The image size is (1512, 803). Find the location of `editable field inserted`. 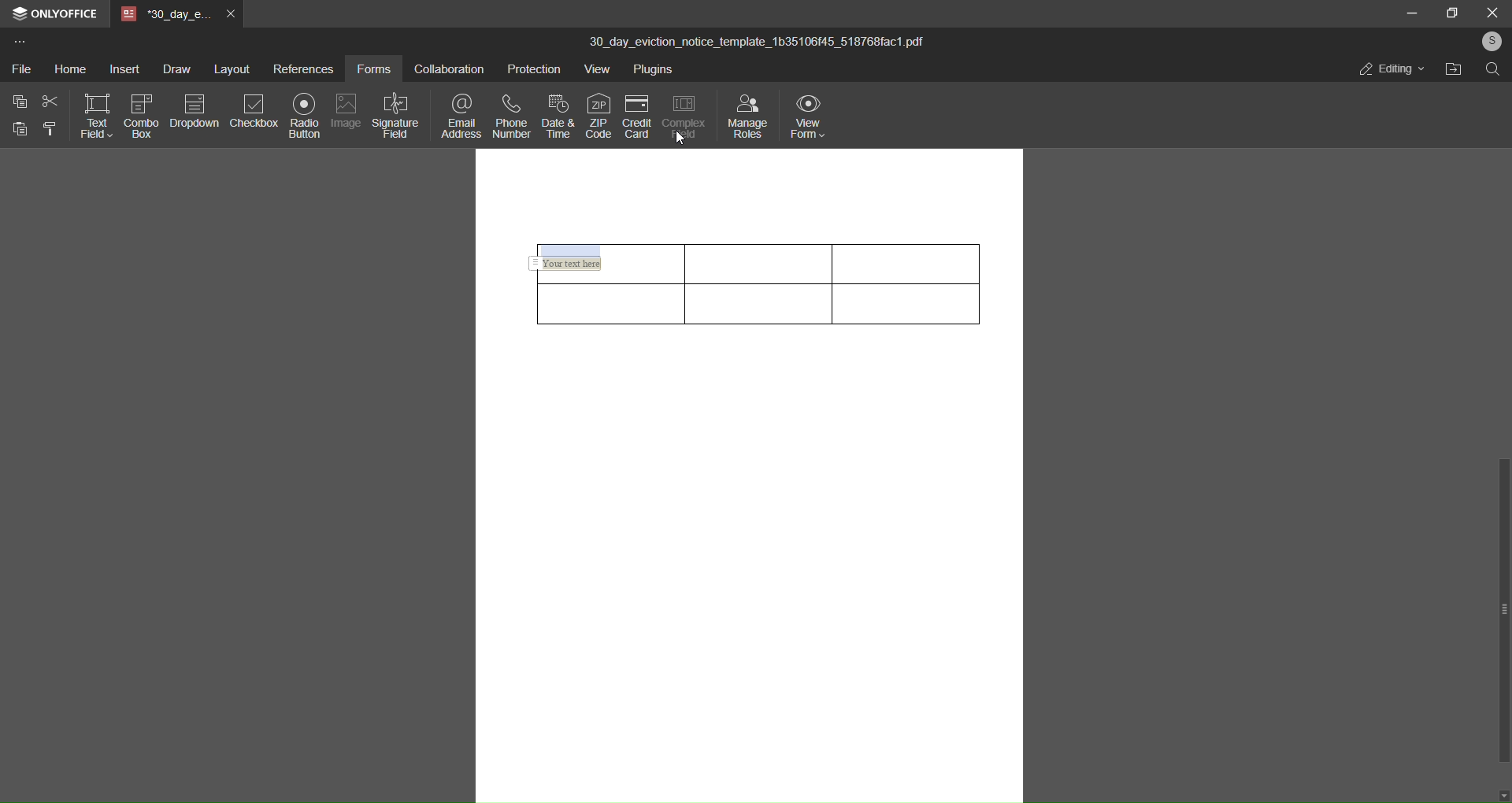

editable field inserted is located at coordinates (604, 264).